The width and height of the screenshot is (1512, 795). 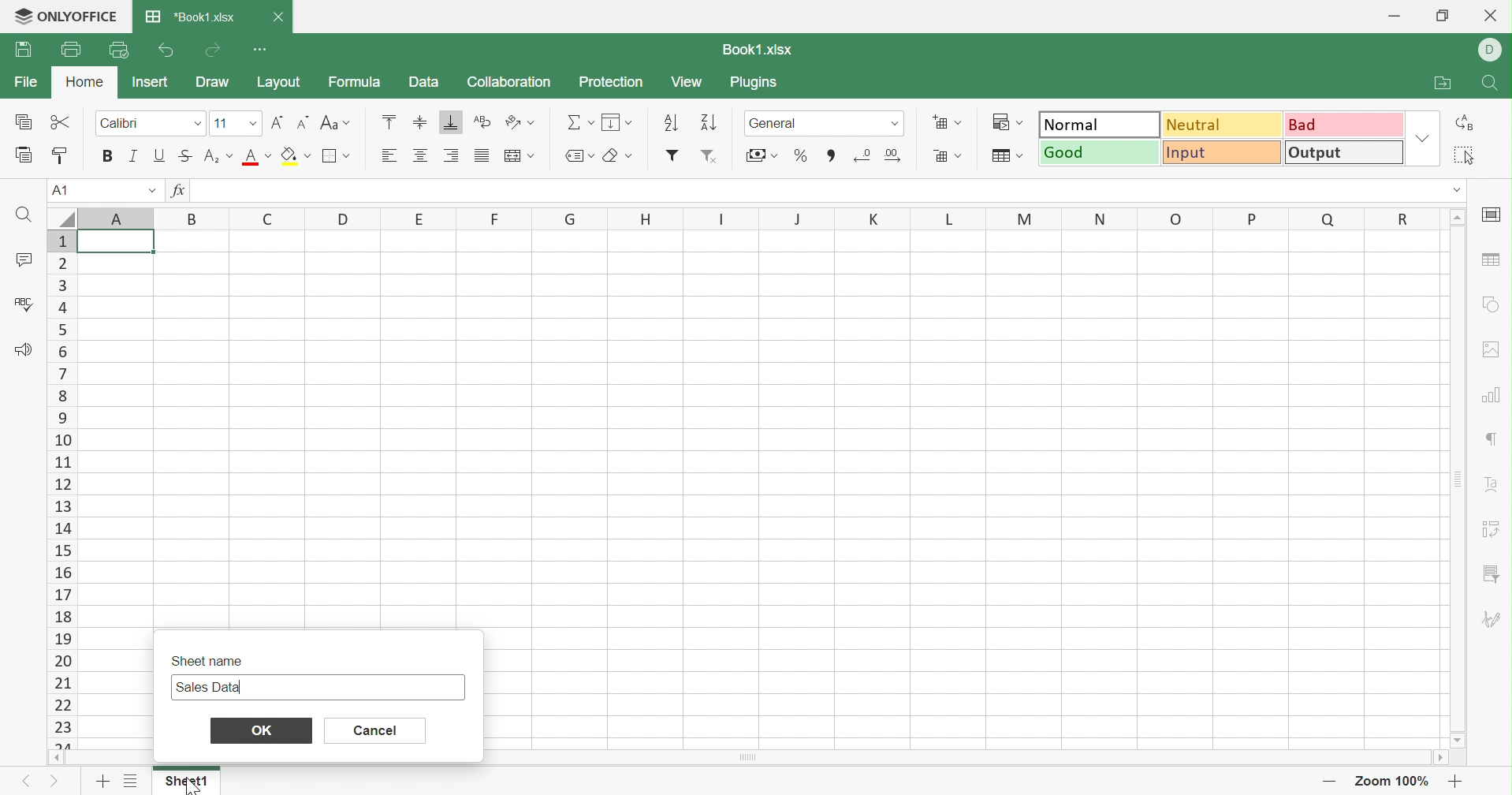 I want to click on 11, so click(x=223, y=121).